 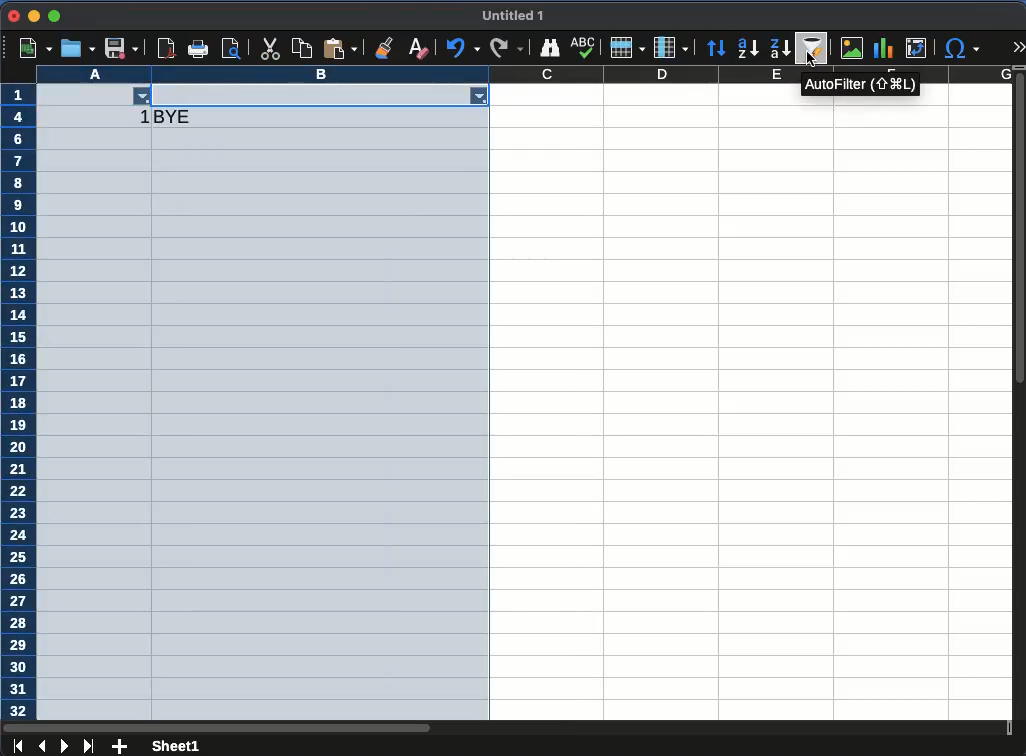 What do you see at coordinates (670, 48) in the screenshot?
I see `column` at bounding box center [670, 48].